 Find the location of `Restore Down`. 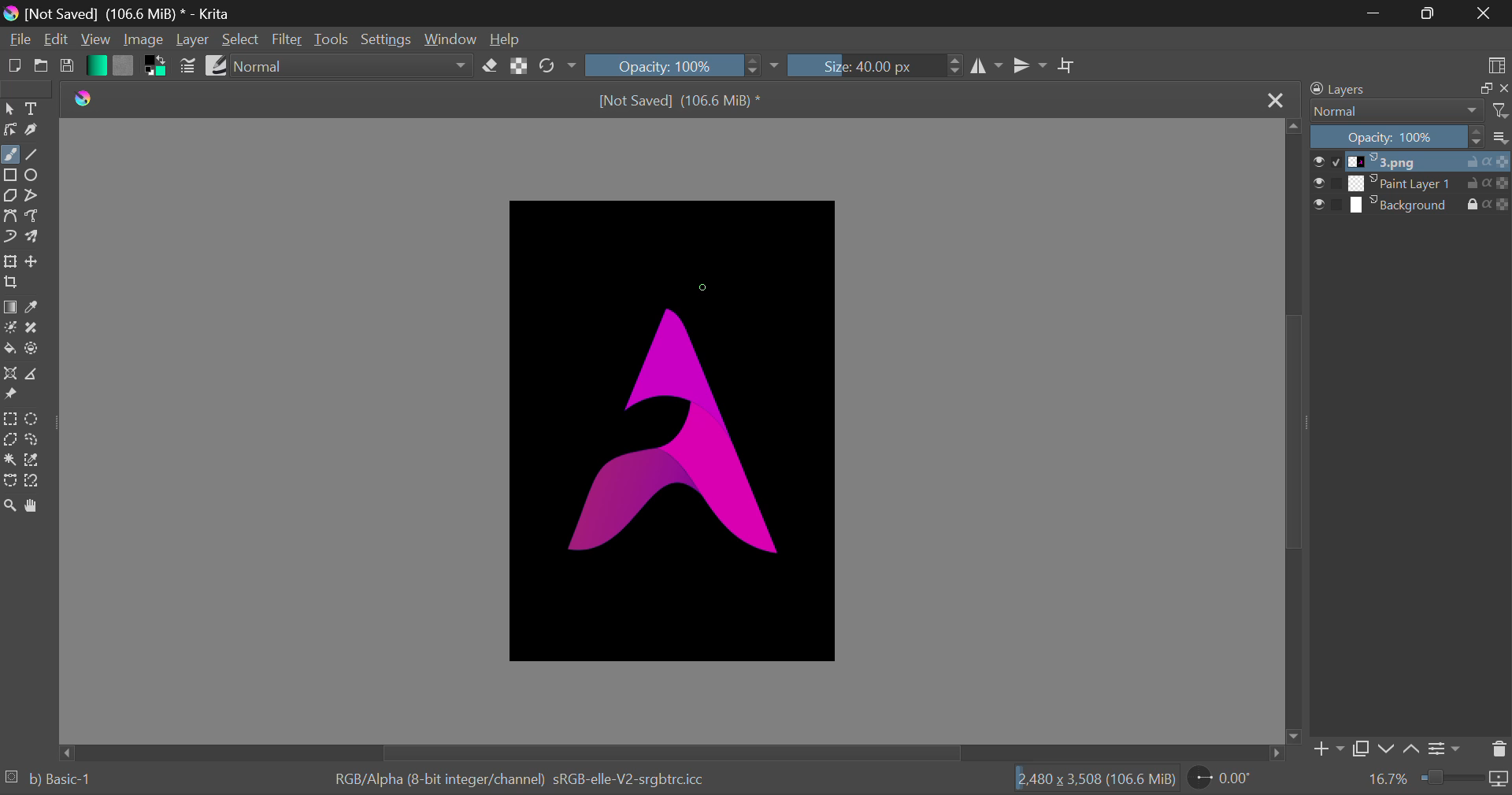

Restore Down is located at coordinates (1375, 13).